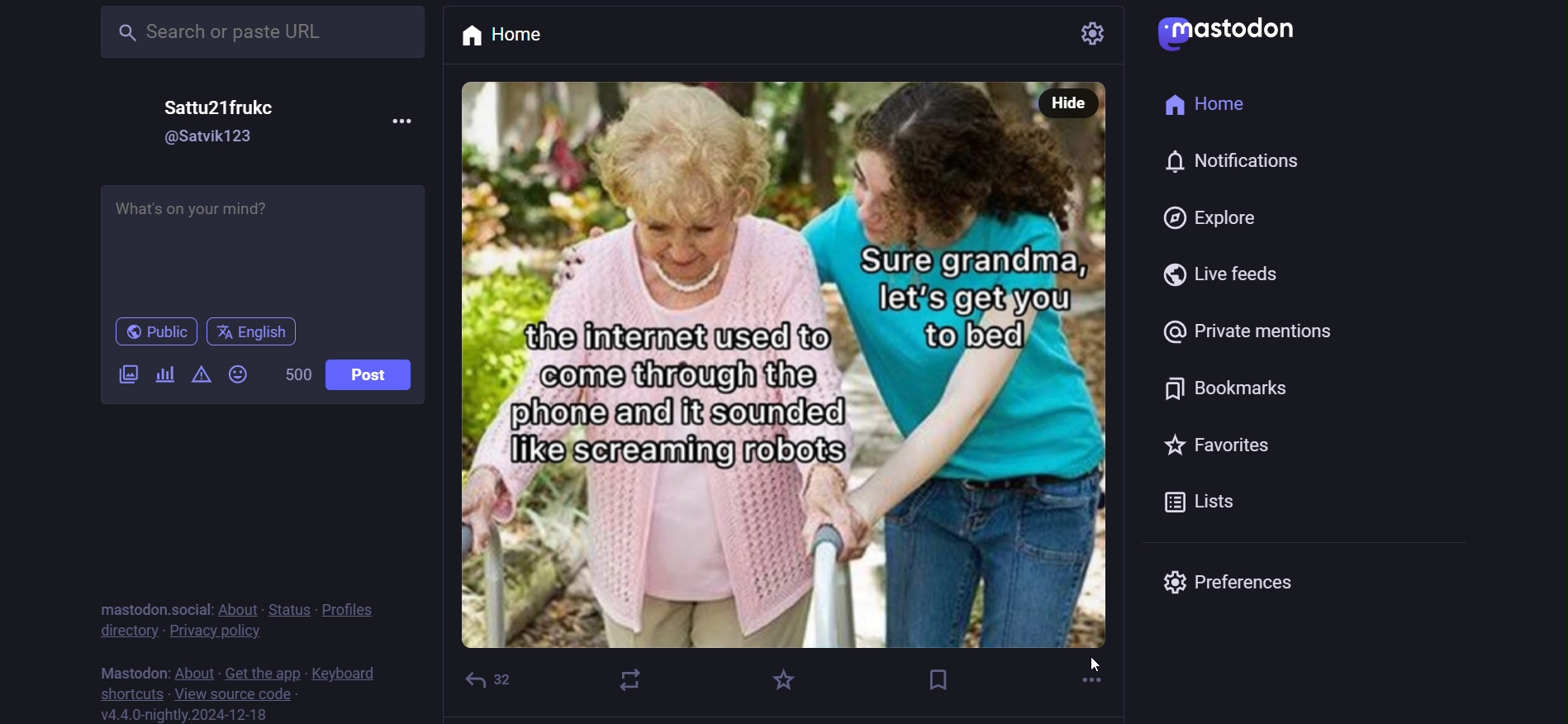 The width and height of the screenshot is (1568, 724). I want to click on home, so click(530, 36).